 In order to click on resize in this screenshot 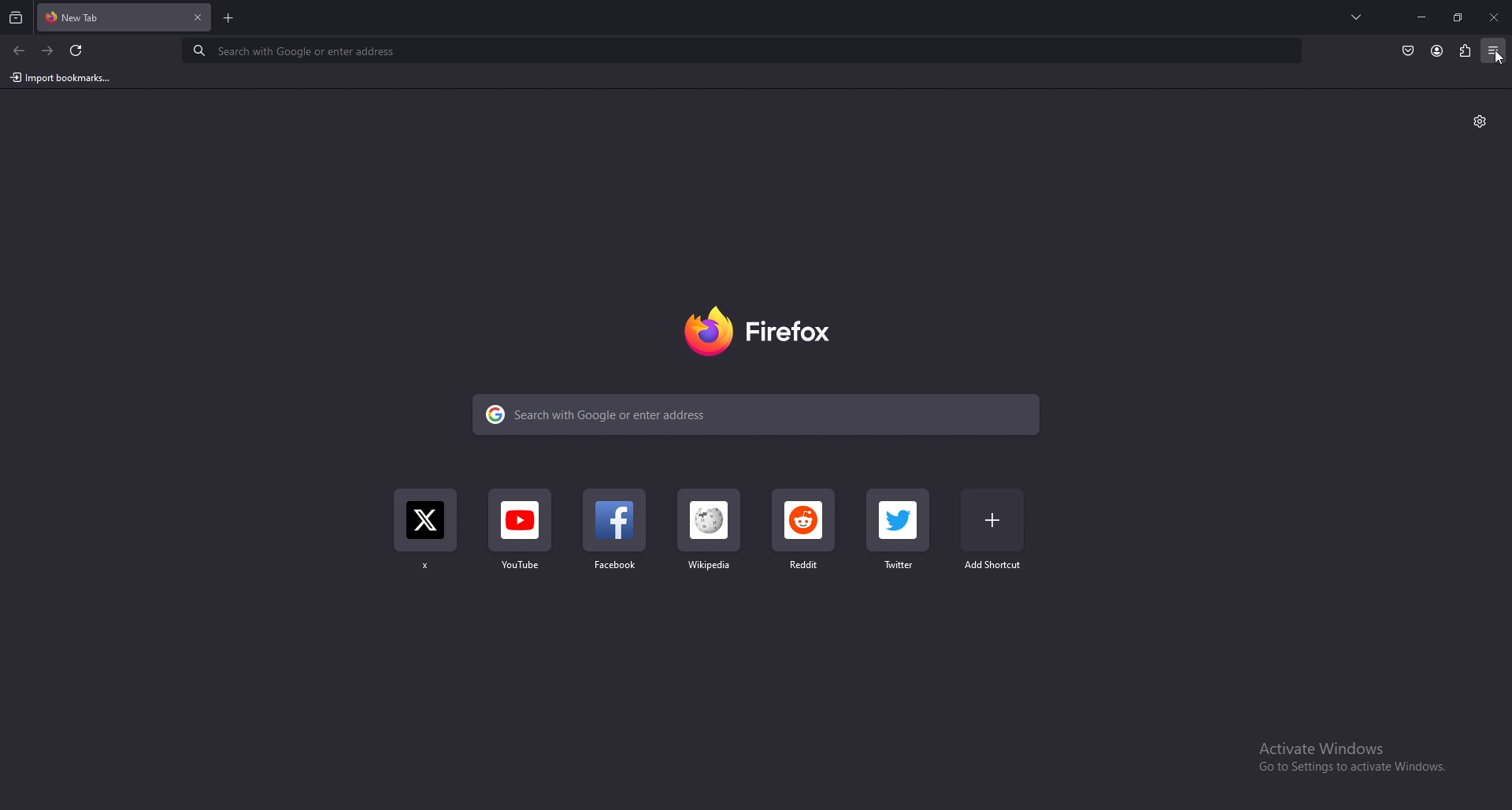, I will do `click(1457, 17)`.